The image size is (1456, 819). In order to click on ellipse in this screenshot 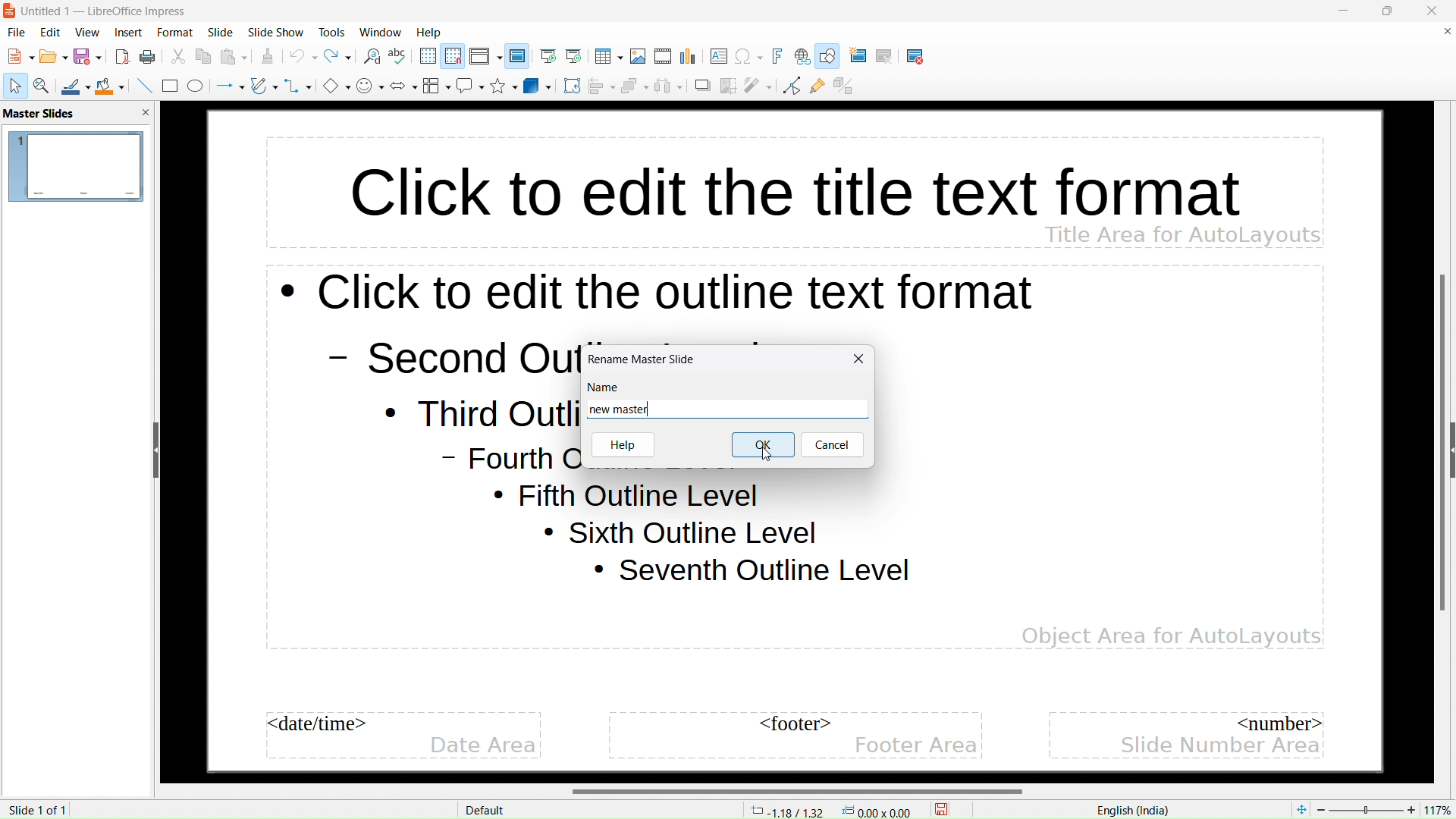, I will do `click(196, 85)`.